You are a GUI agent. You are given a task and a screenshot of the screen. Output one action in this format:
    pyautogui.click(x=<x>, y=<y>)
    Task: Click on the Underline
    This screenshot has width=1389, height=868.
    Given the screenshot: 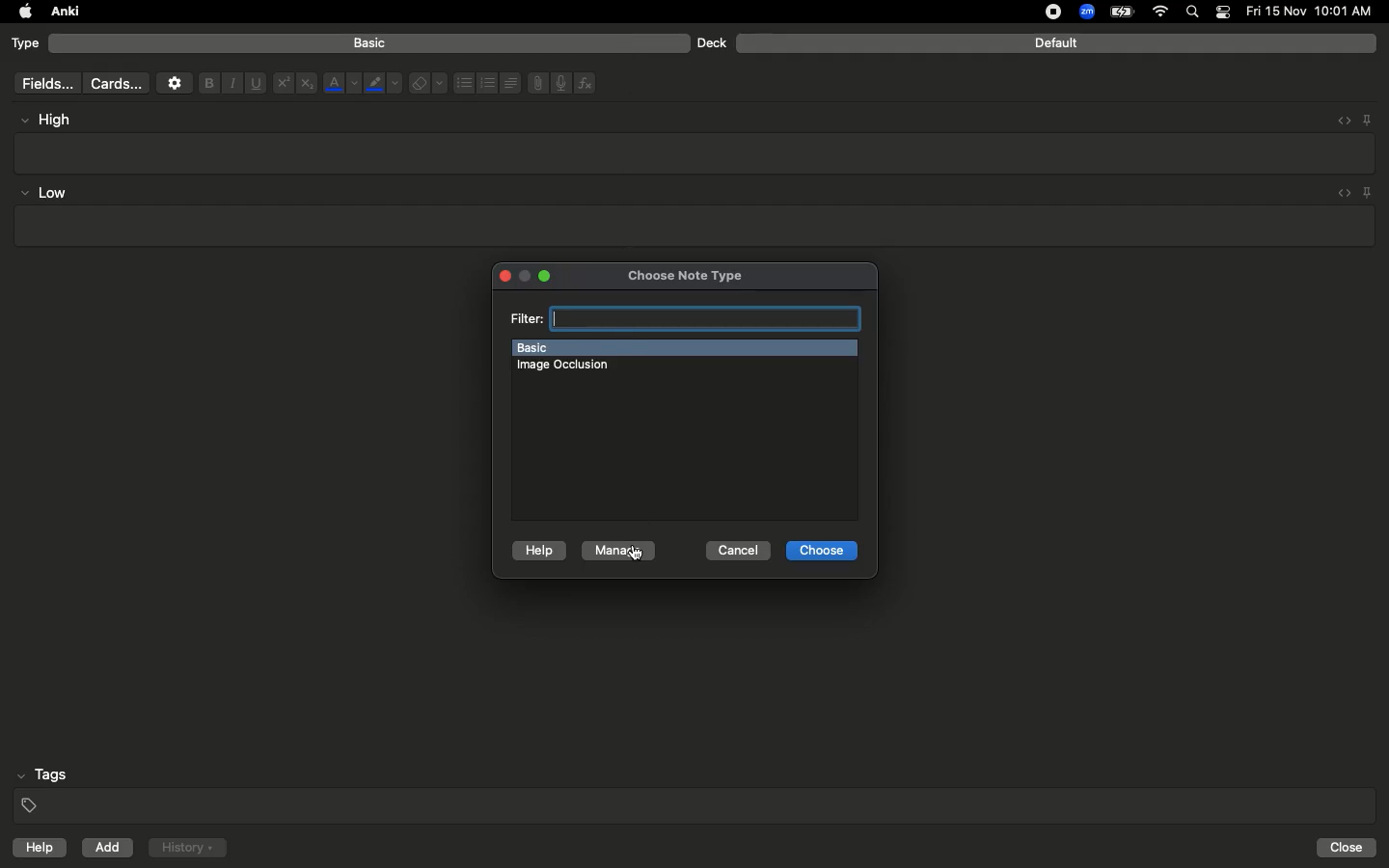 What is the action you would take?
    pyautogui.click(x=255, y=84)
    